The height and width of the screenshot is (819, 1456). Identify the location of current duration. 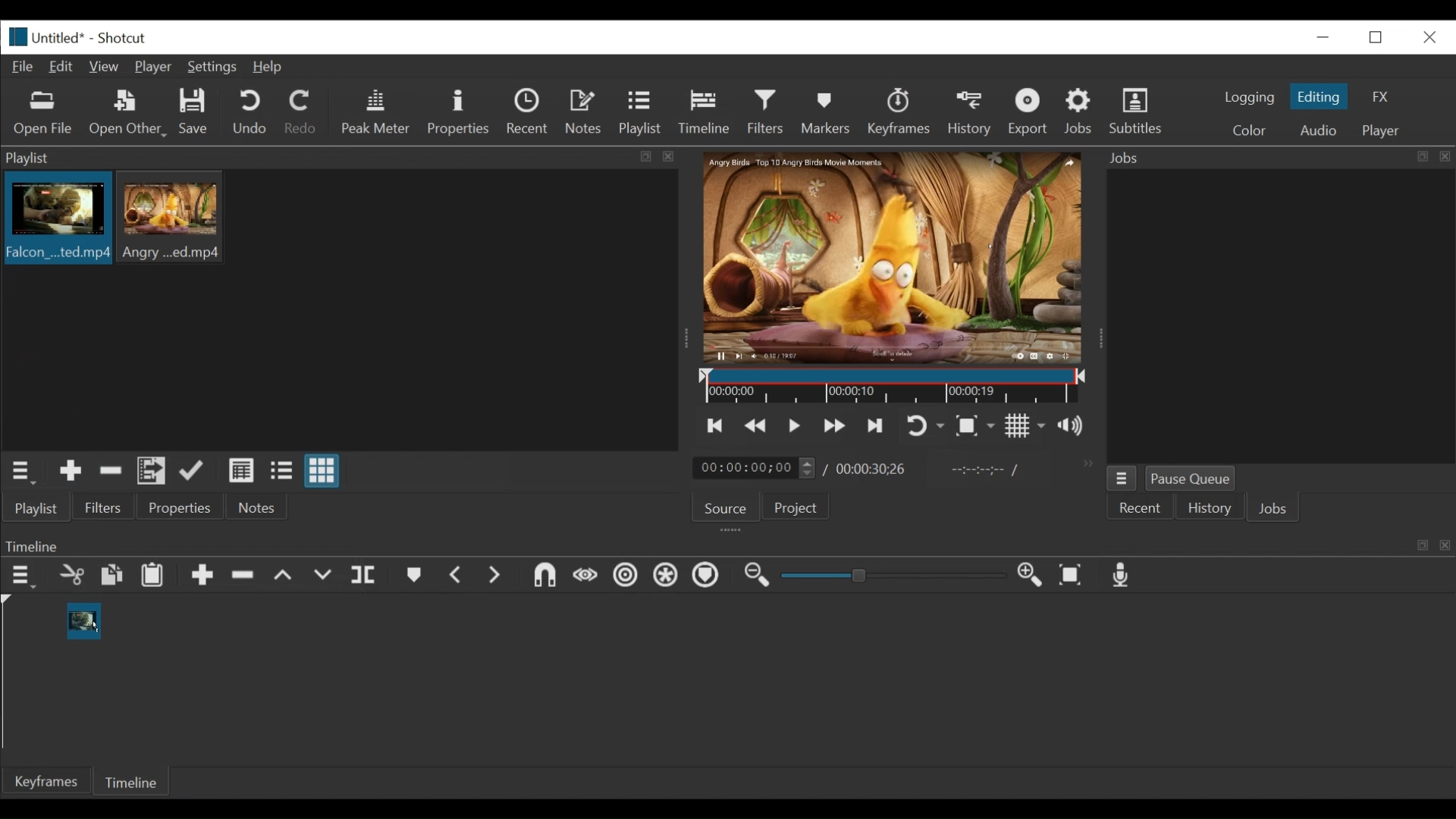
(756, 469).